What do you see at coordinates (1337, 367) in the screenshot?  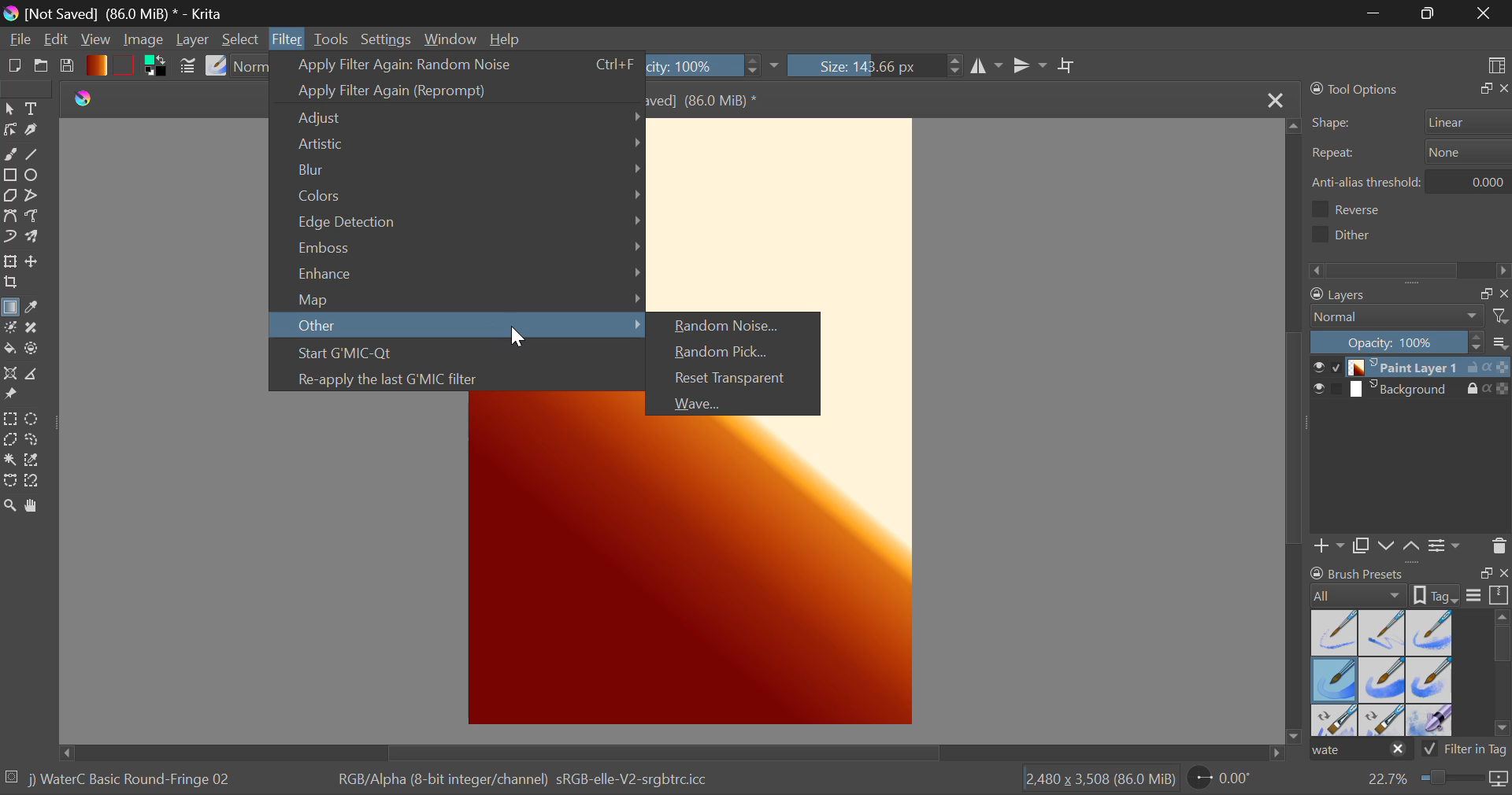 I see `disable paint layer` at bounding box center [1337, 367].